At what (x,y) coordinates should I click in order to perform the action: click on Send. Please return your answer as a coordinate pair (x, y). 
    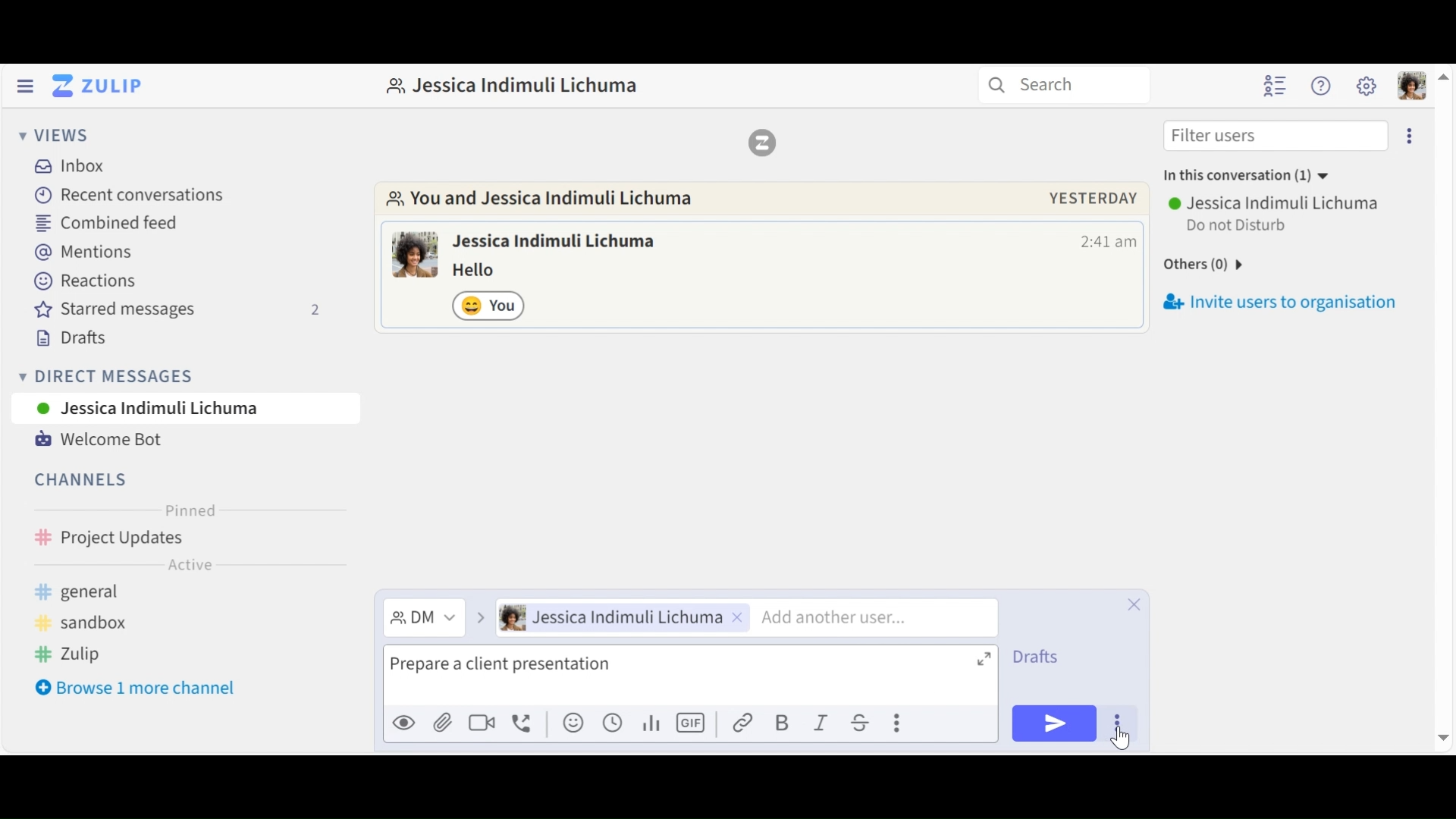
    Looking at the image, I should click on (1053, 723).